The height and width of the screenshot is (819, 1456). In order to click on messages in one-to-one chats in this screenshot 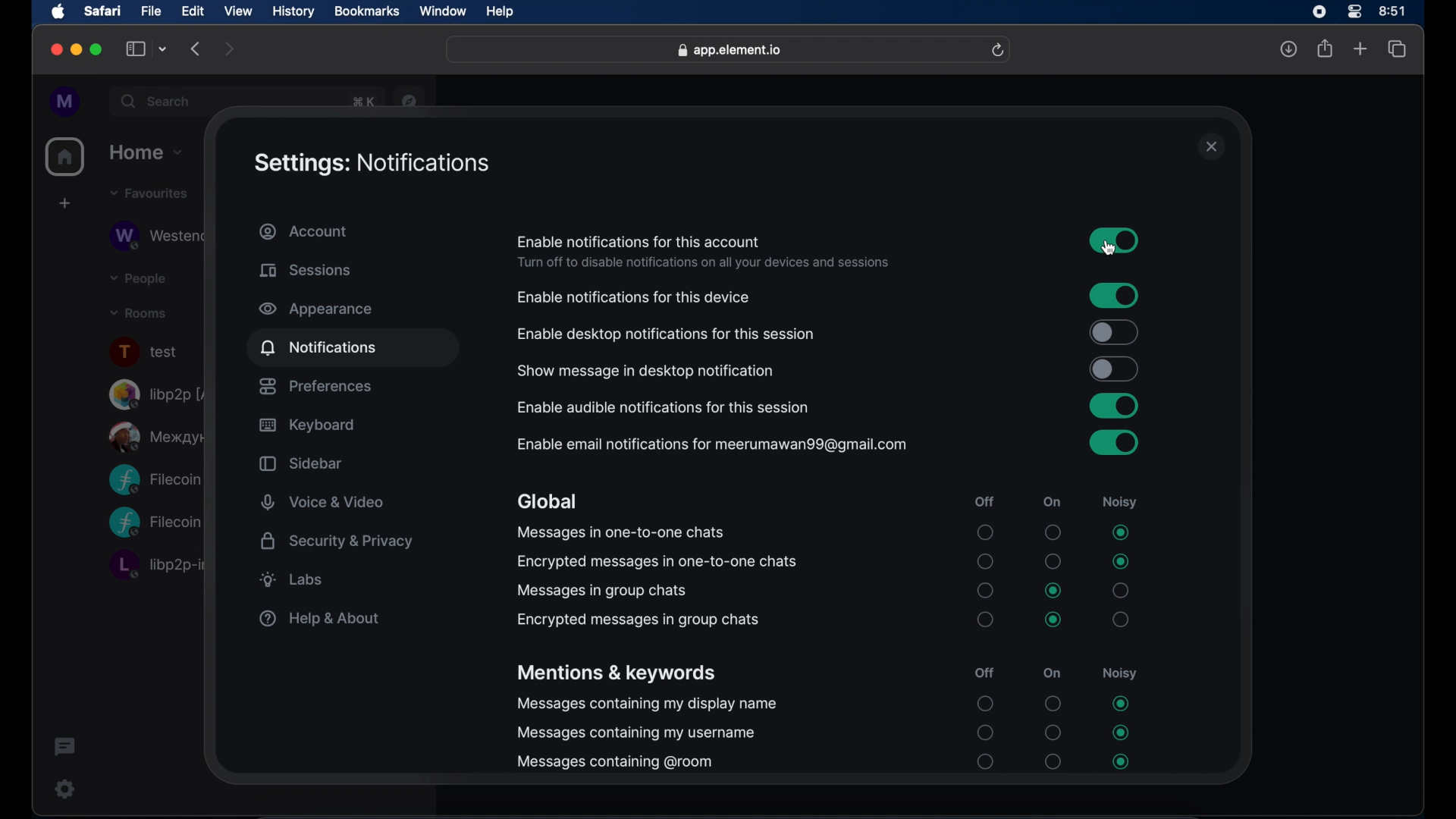, I will do `click(621, 533)`.